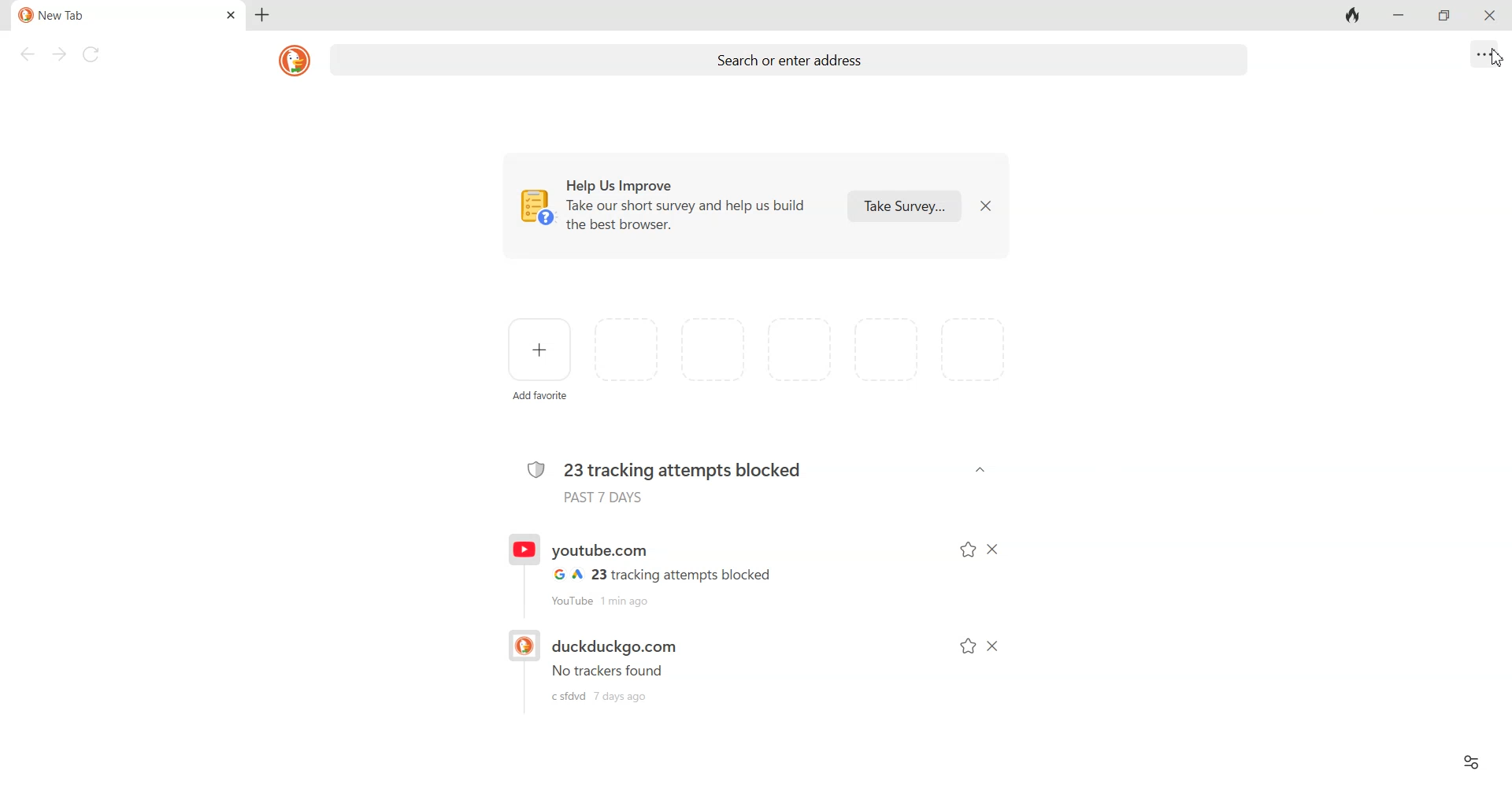  I want to click on Overflow menu, so click(1485, 54).